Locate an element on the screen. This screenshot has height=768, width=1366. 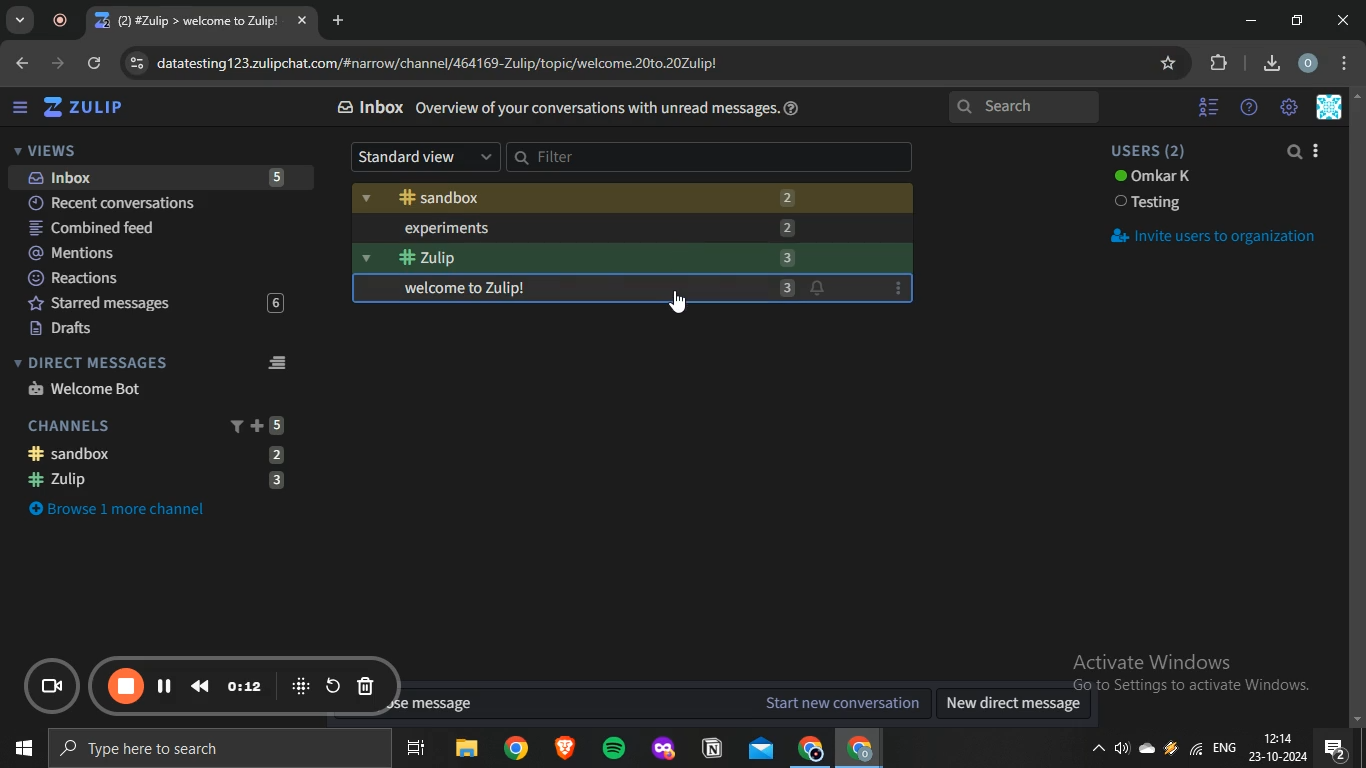
new message is located at coordinates (657, 703).